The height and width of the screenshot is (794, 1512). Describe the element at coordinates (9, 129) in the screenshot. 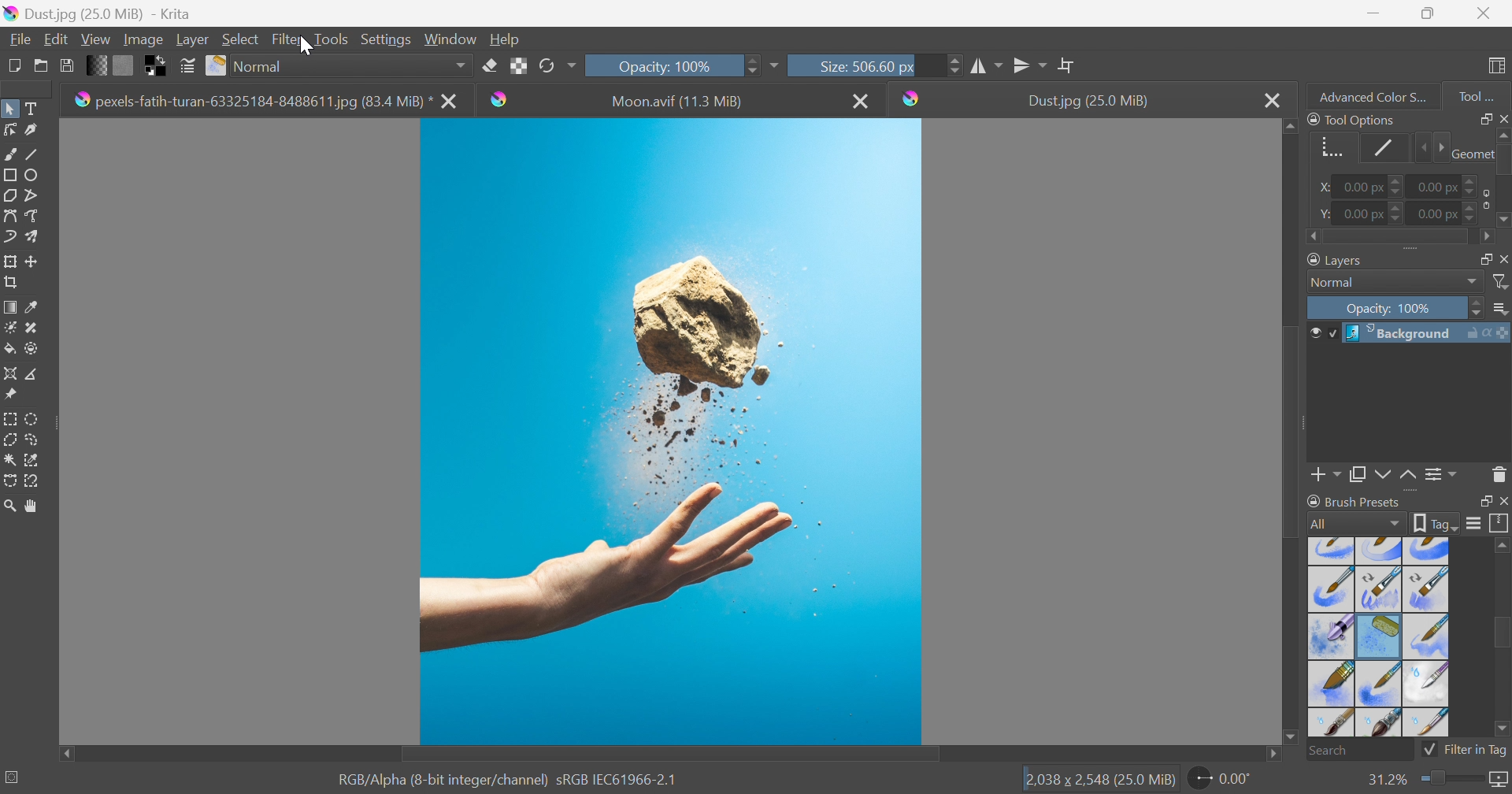

I see `Edit shapes tool` at that location.